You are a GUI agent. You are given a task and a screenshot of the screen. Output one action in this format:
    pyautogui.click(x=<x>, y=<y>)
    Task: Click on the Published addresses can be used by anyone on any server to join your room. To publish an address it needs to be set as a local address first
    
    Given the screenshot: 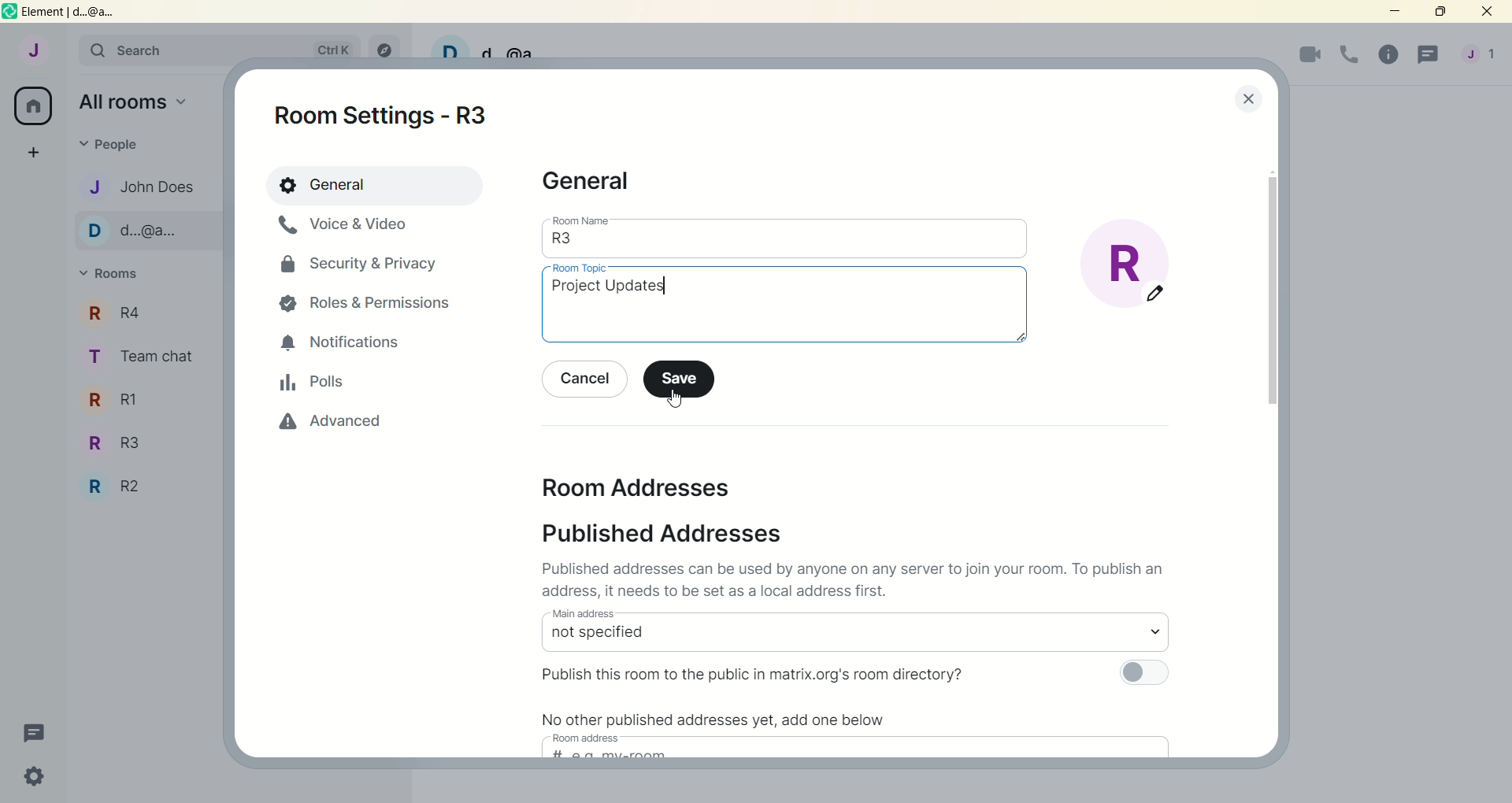 What is the action you would take?
    pyautogui.click(x=861, y=579)
    